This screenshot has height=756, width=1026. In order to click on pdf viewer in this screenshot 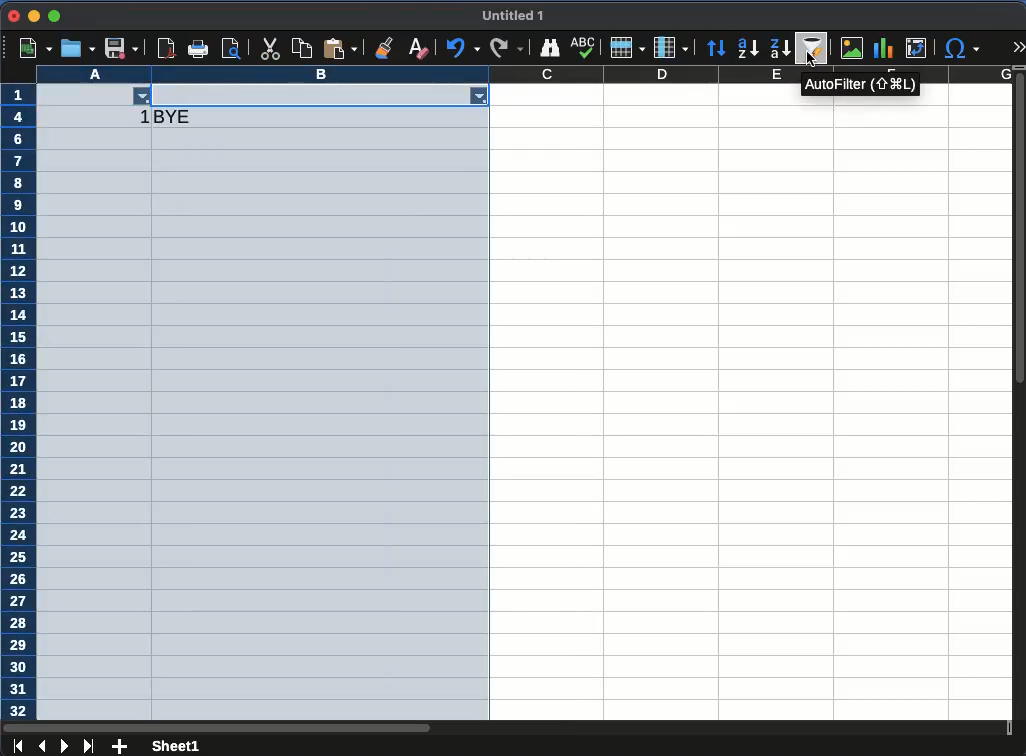, I will do `click(169, 48)`.